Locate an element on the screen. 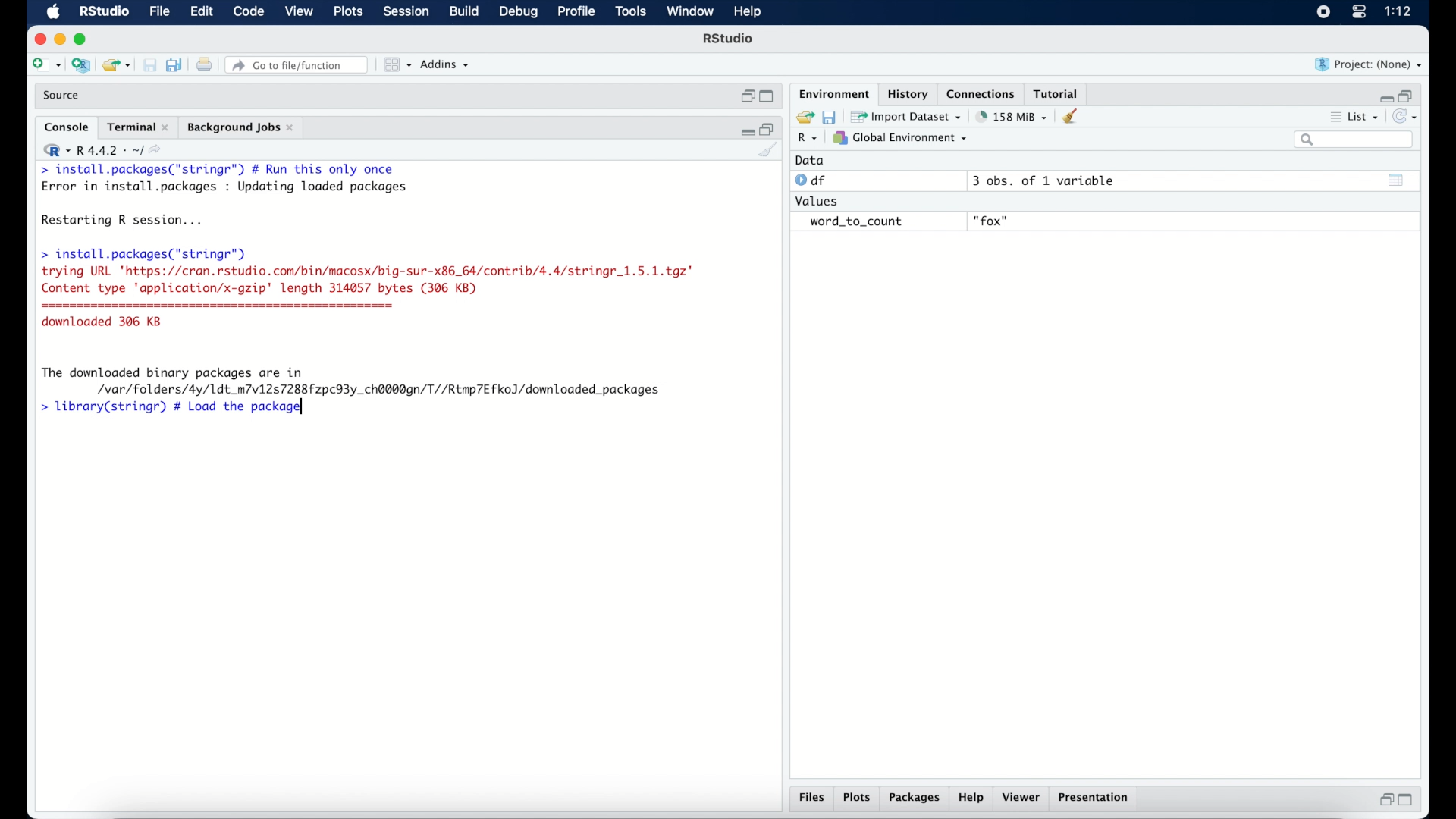  tutorial is located at coordinates (1056, 92).